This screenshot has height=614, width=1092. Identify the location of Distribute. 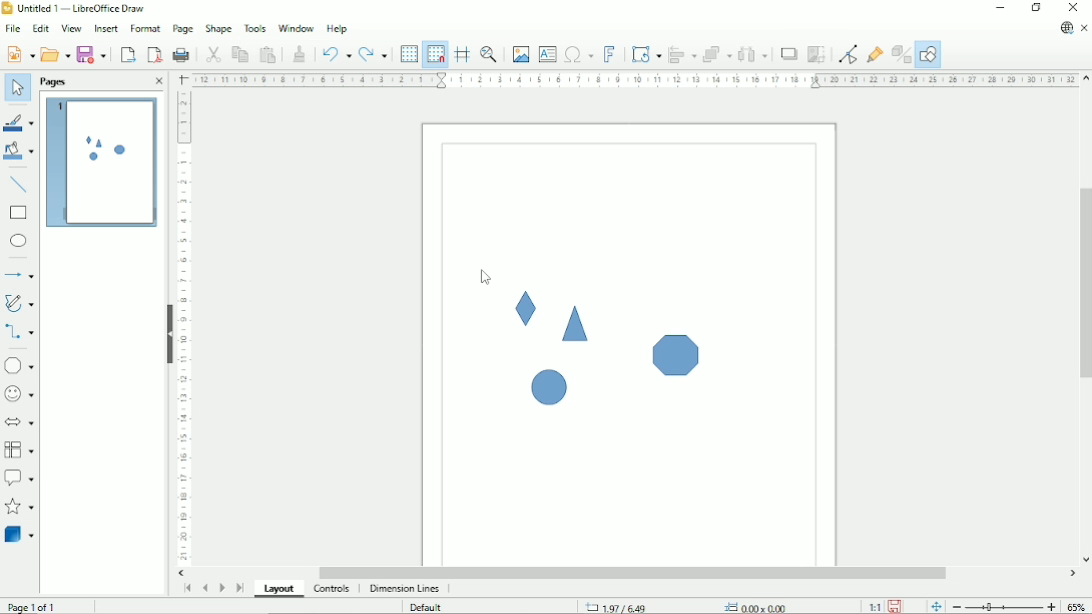
(752, 53).